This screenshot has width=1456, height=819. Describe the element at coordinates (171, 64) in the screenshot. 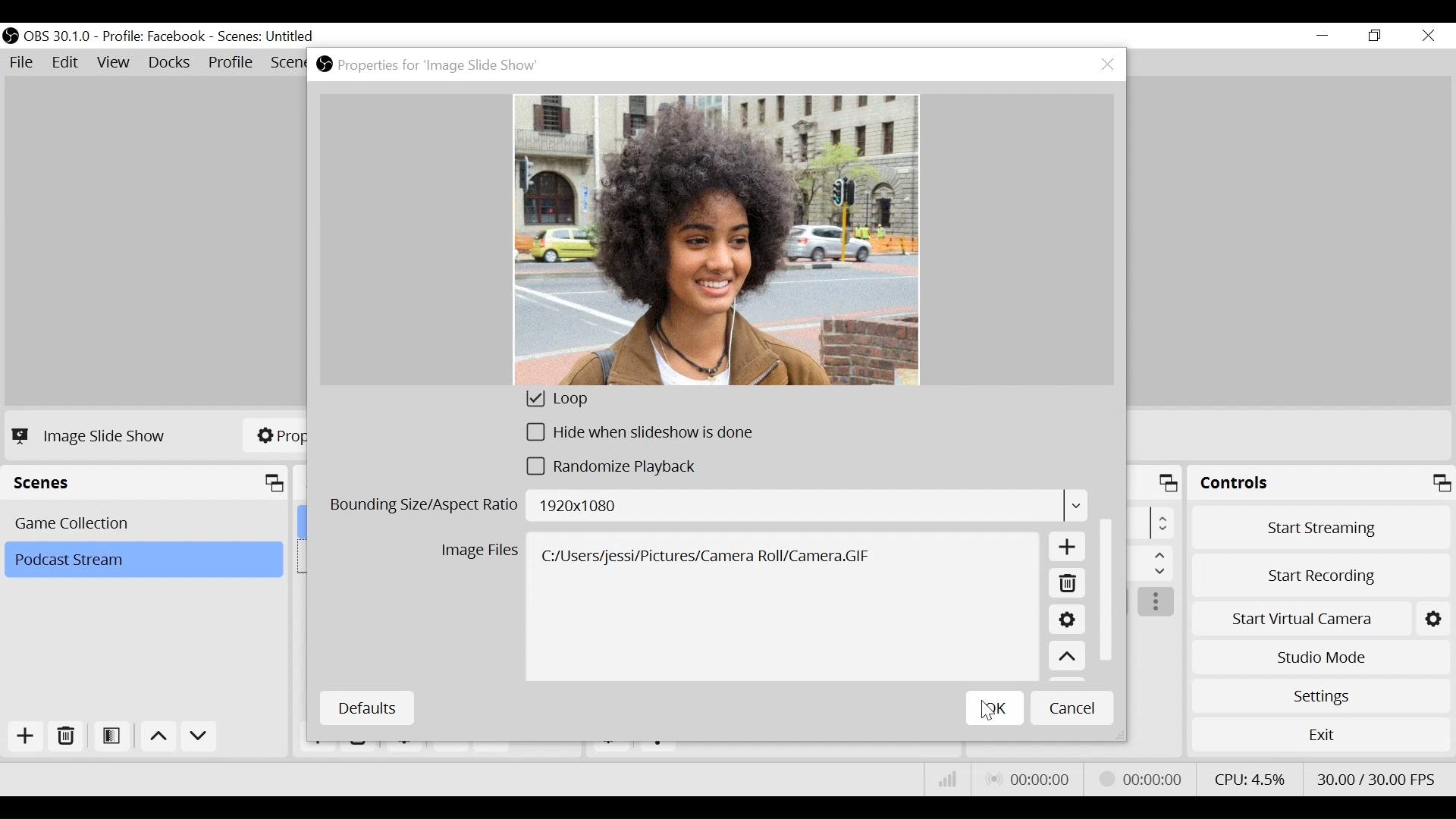

I see `Docks` at that location.